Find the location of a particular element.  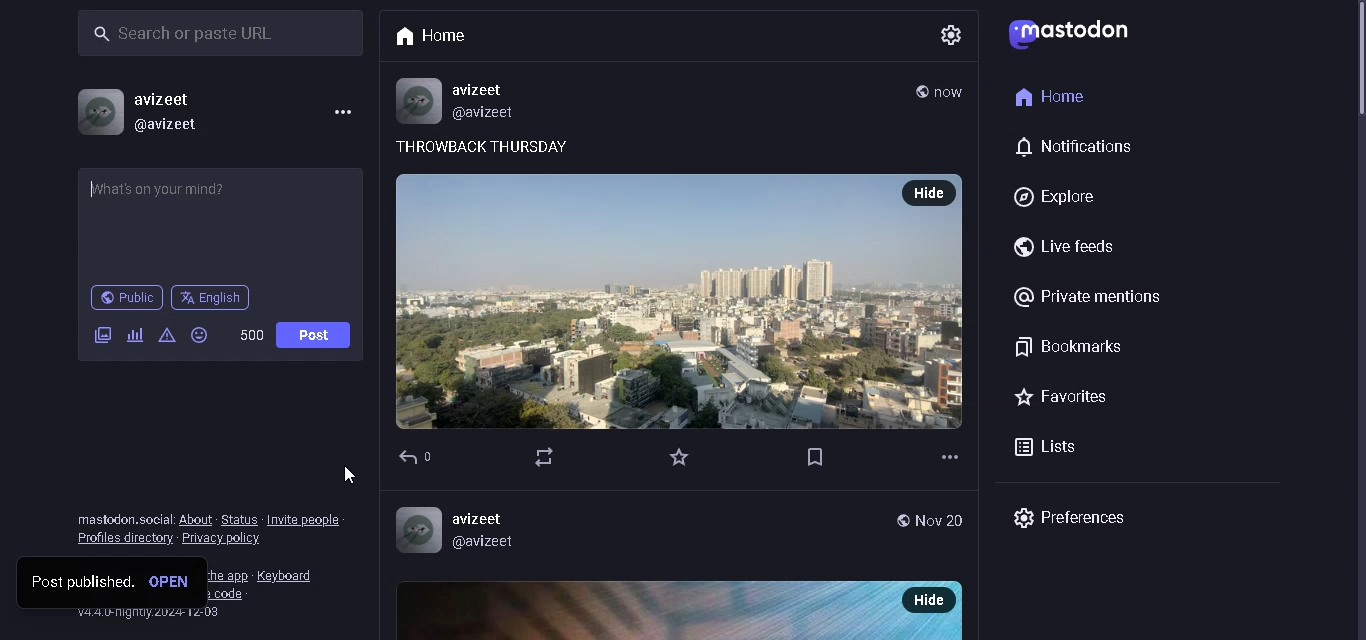

Back is located at coordinates (416, 460).